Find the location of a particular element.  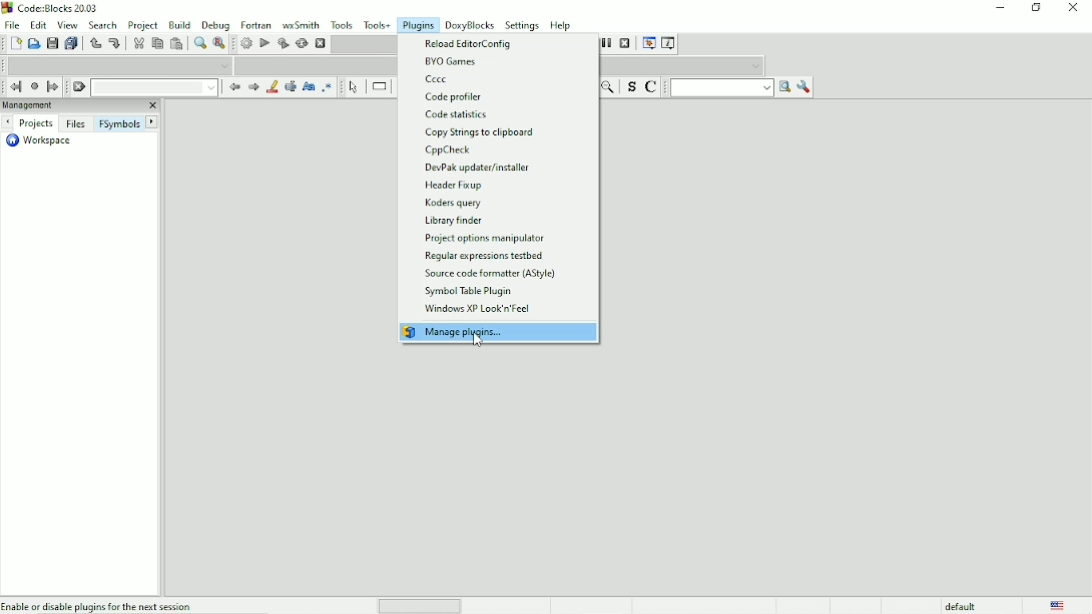

Project options manipulator is located at coordinates (482, 239).